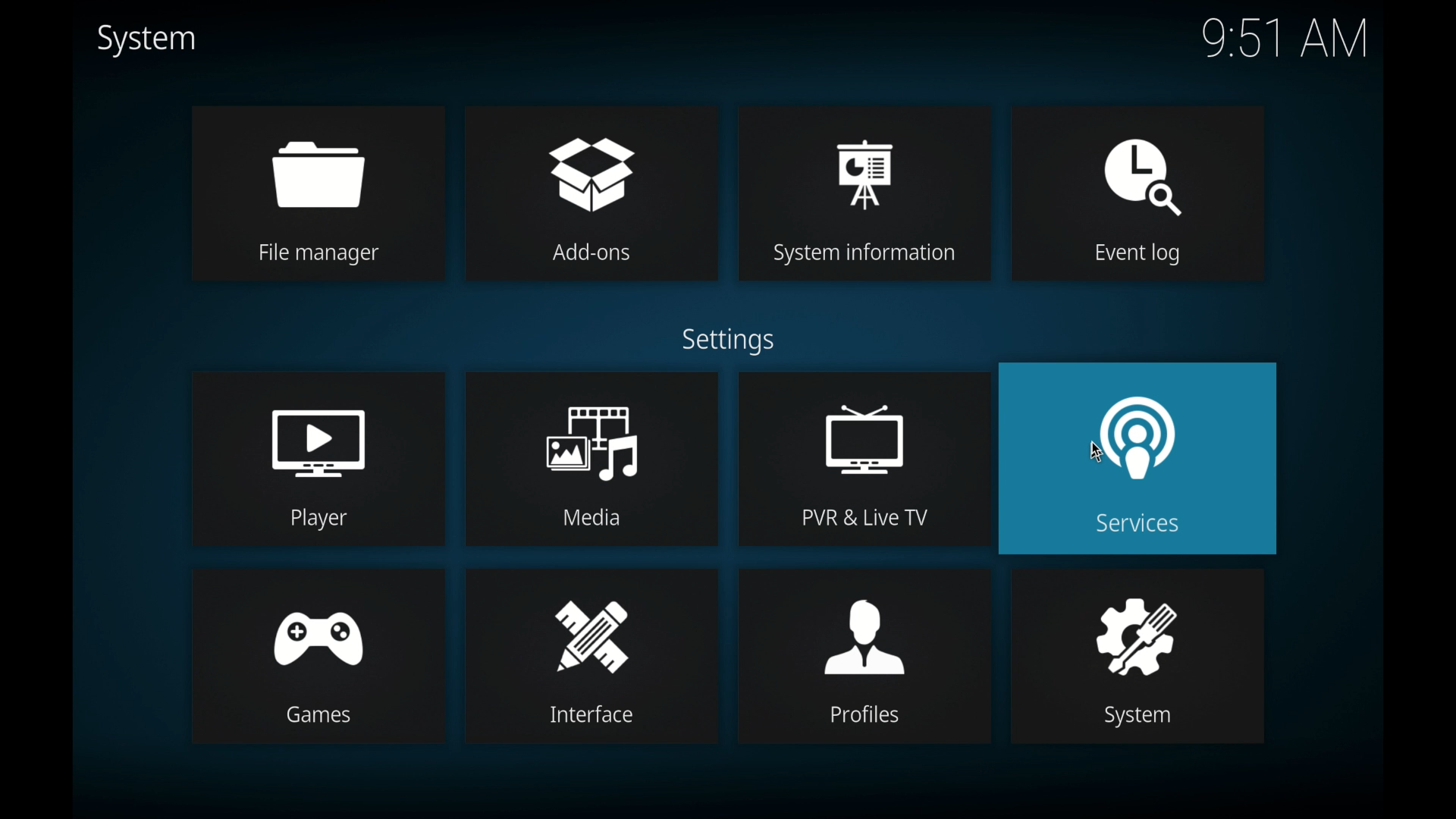 This screenshot has height=819, width=1456. I want to click on games, so click(318, 655).